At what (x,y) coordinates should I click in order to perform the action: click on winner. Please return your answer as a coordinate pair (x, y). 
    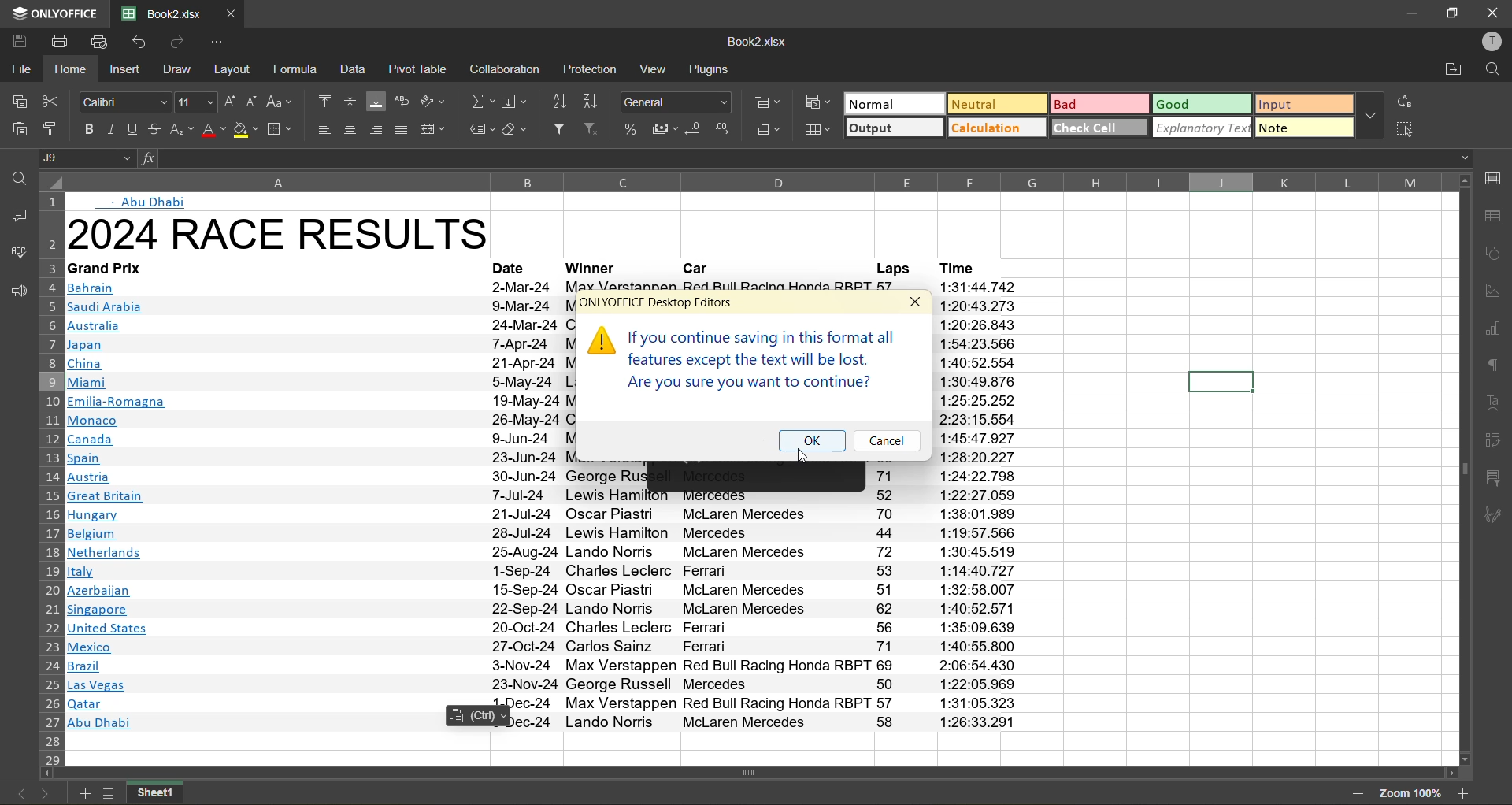
    Looking at the image, I should click on (596, 267).